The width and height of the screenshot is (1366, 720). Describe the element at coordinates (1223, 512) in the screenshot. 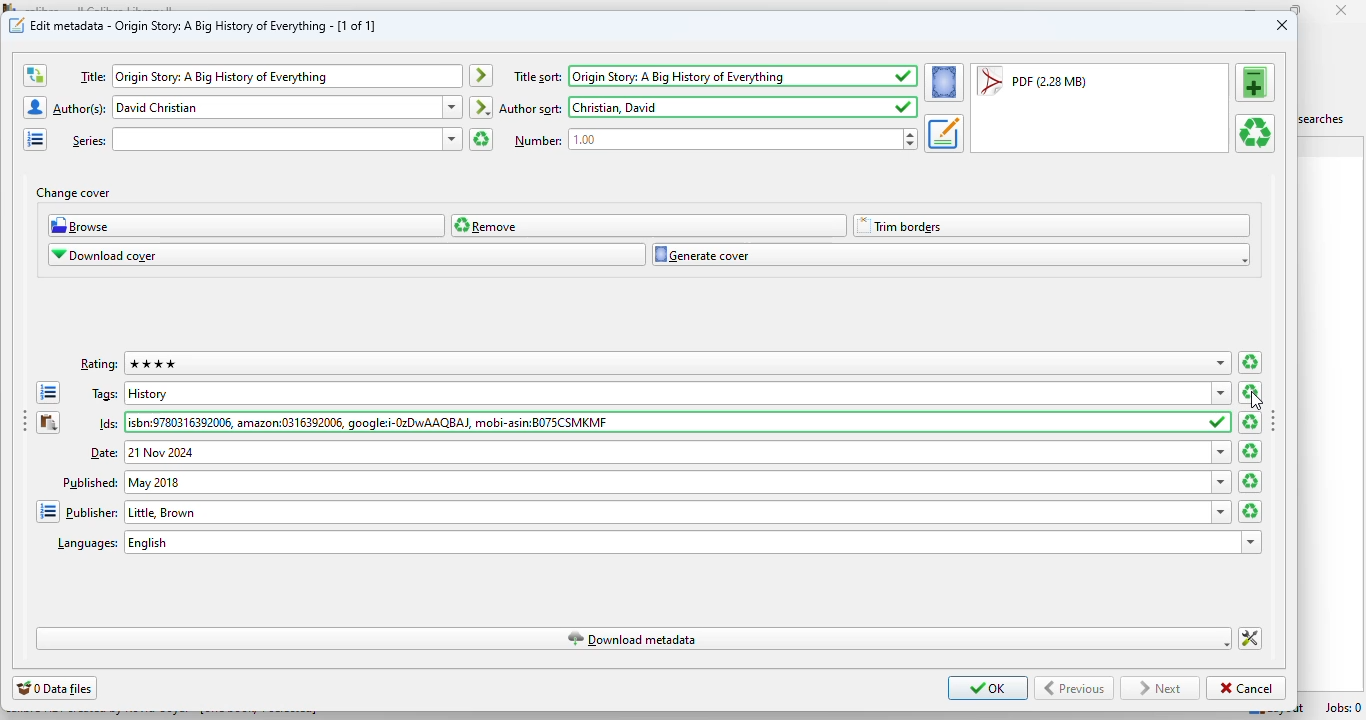

I see `dropdown` at that location.